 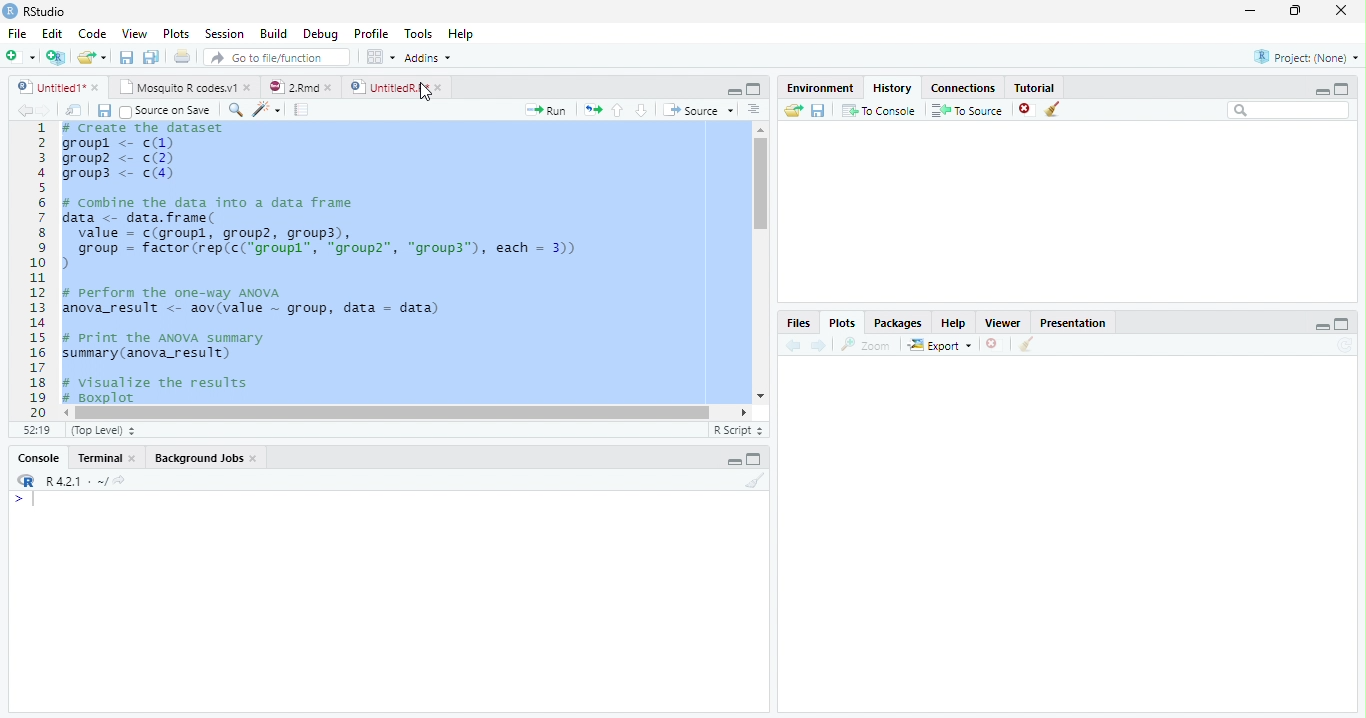 I want to click on Session, so click(x=225, y=34).